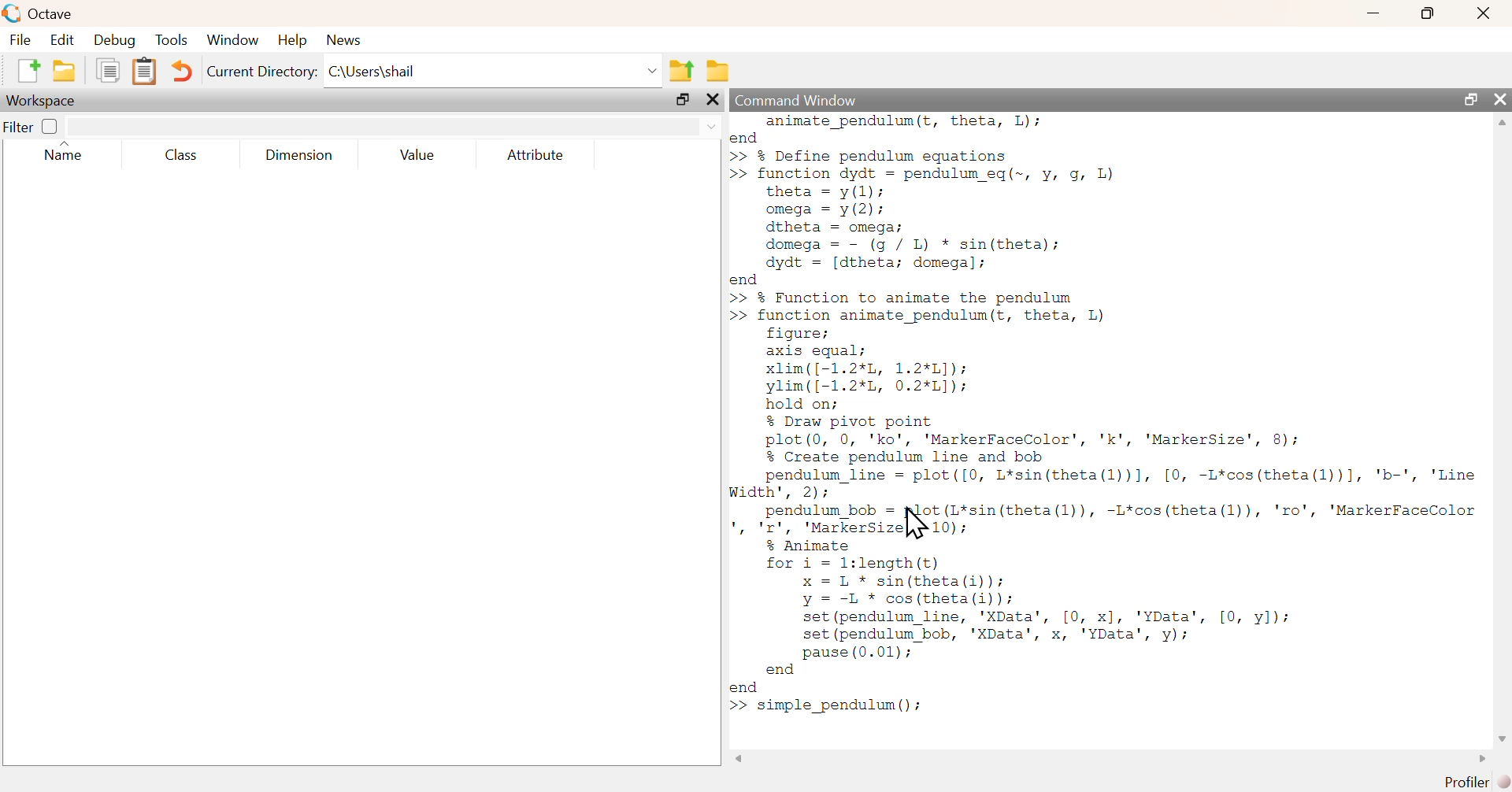 This screenshot has width=1512, height=792. I want to click on one directory up, so click(683, 69).